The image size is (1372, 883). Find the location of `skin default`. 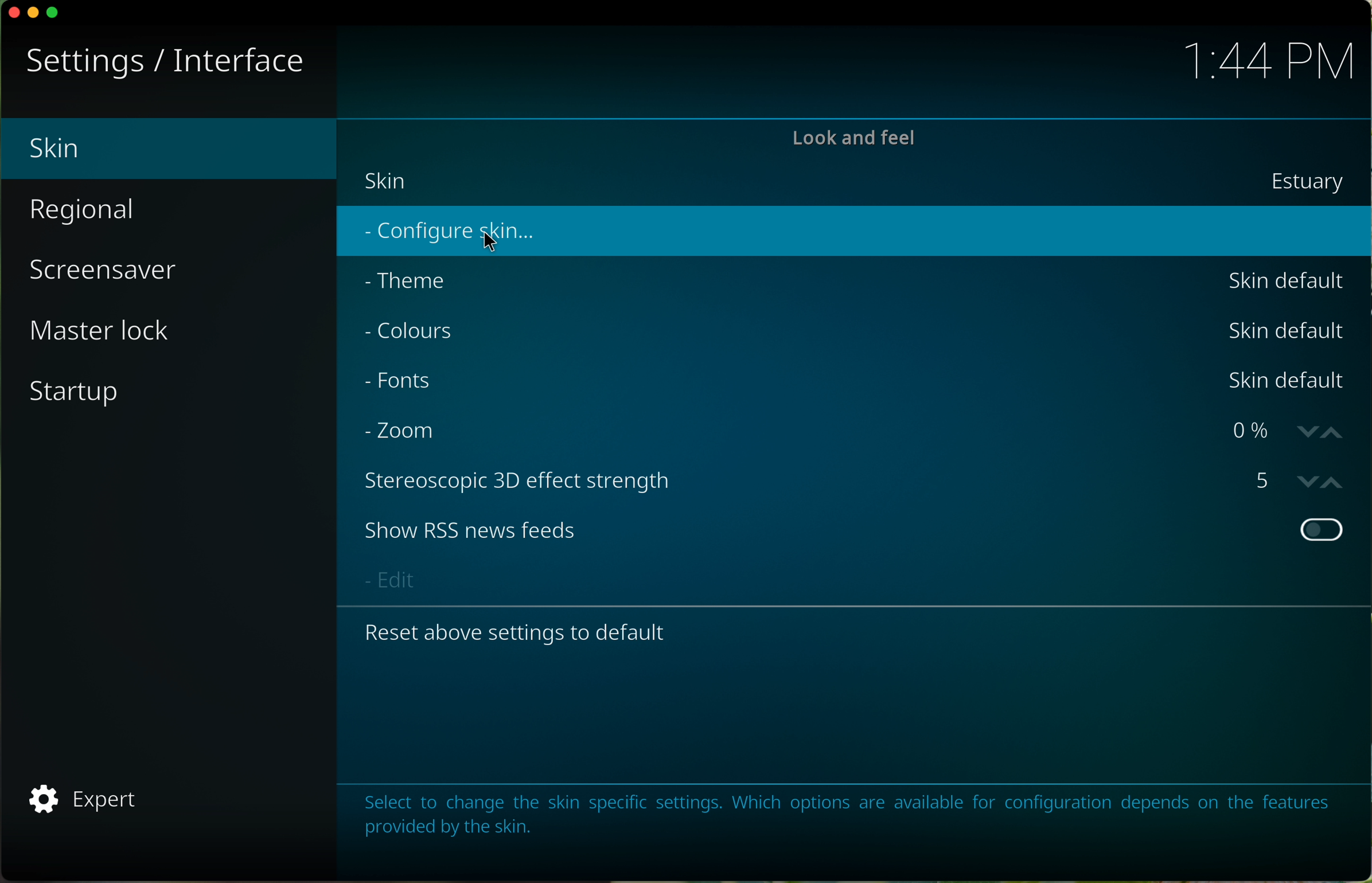

skin default is located at coordinates (1289, 330).